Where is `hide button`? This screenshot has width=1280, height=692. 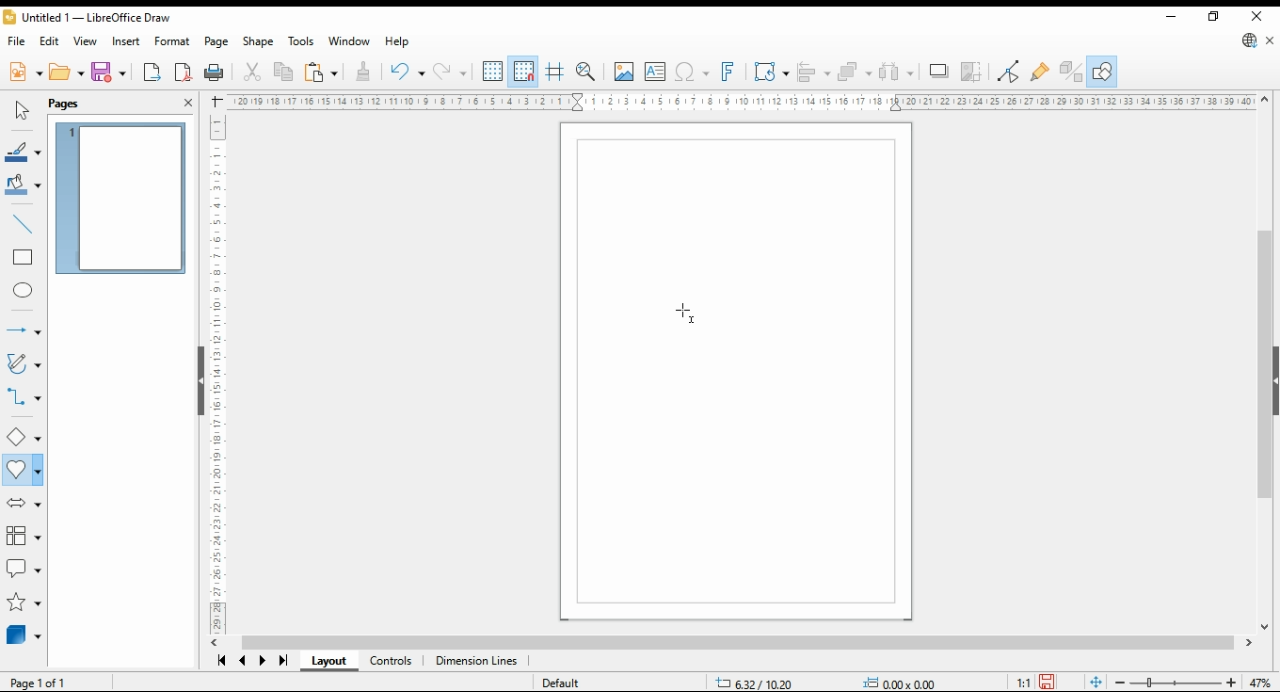 hide button is located at coordinates (199, 380).